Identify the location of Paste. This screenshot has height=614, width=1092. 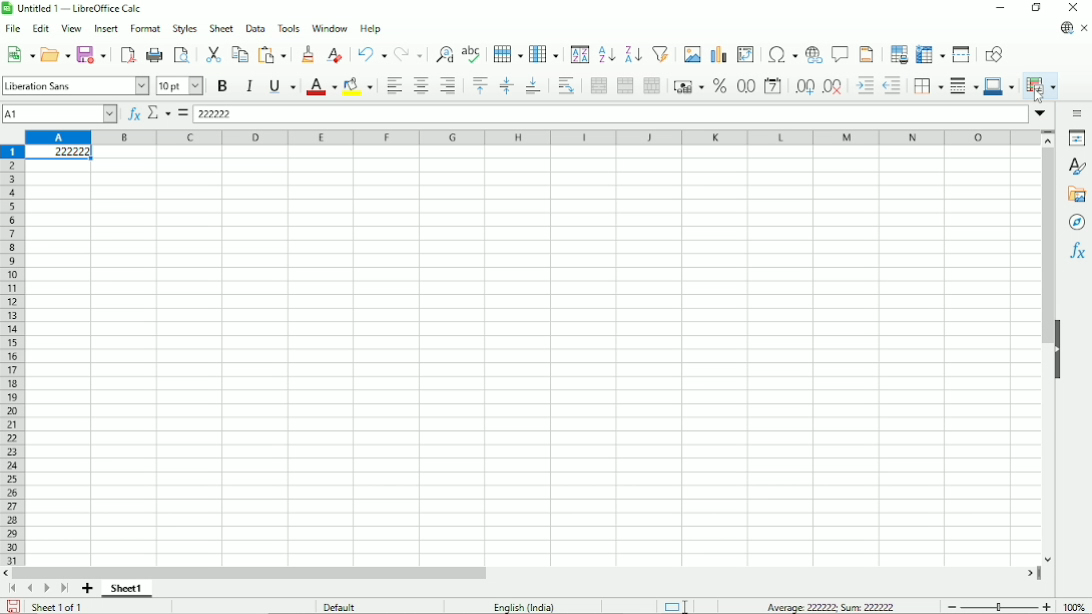
(275, 52).